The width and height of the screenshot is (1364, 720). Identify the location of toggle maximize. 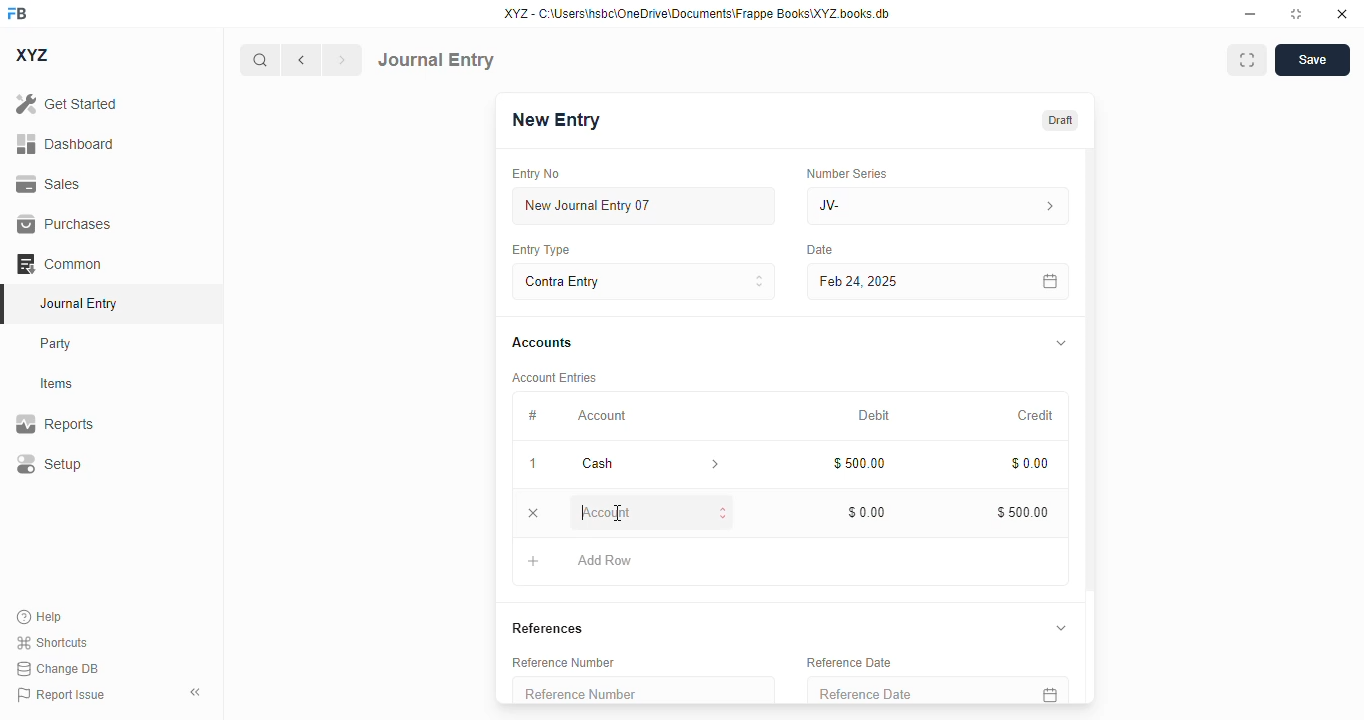
(1296, 14).